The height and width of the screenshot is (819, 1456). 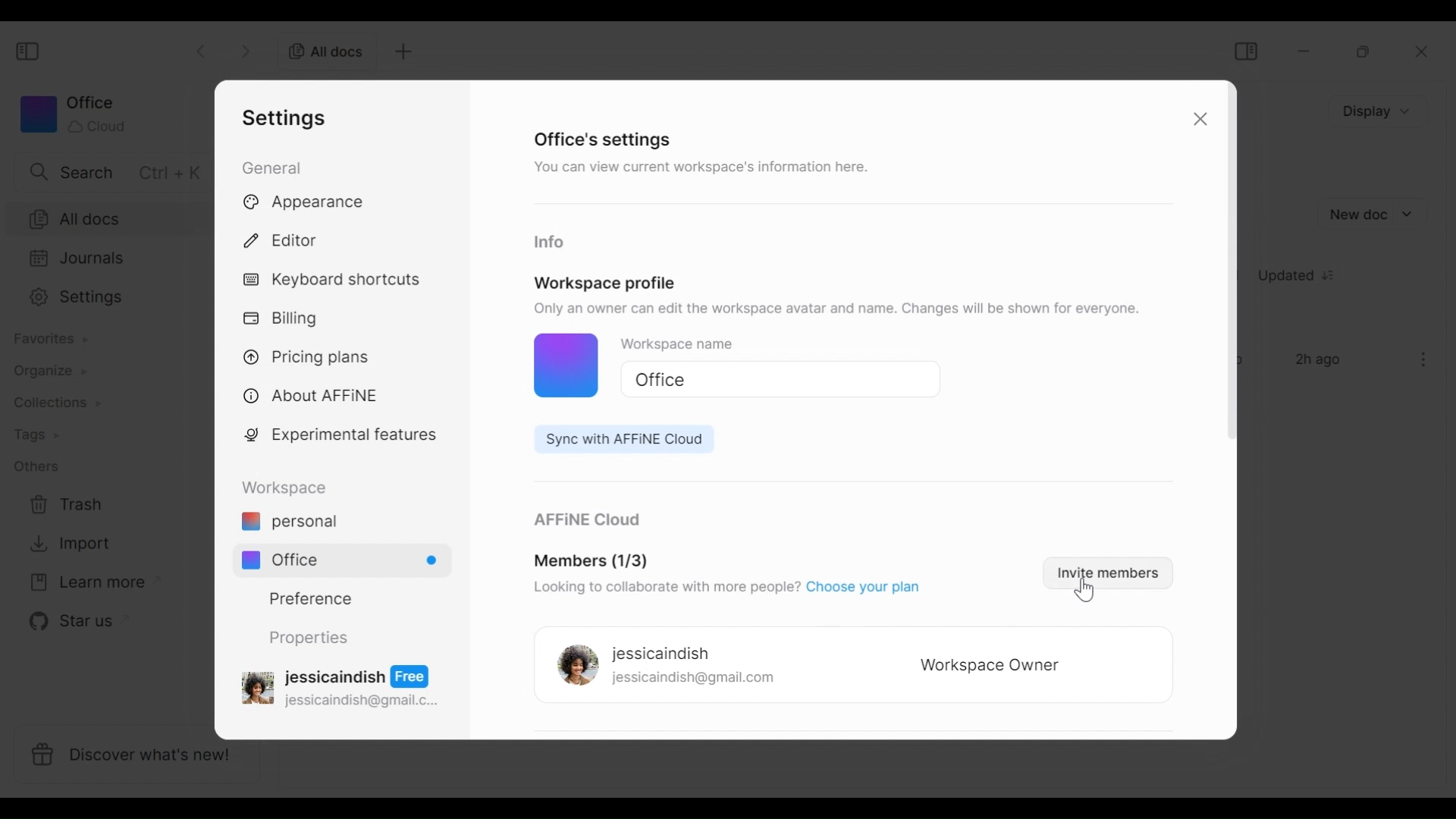 I want to click on Members (1/3), so click(x=591, y=562).